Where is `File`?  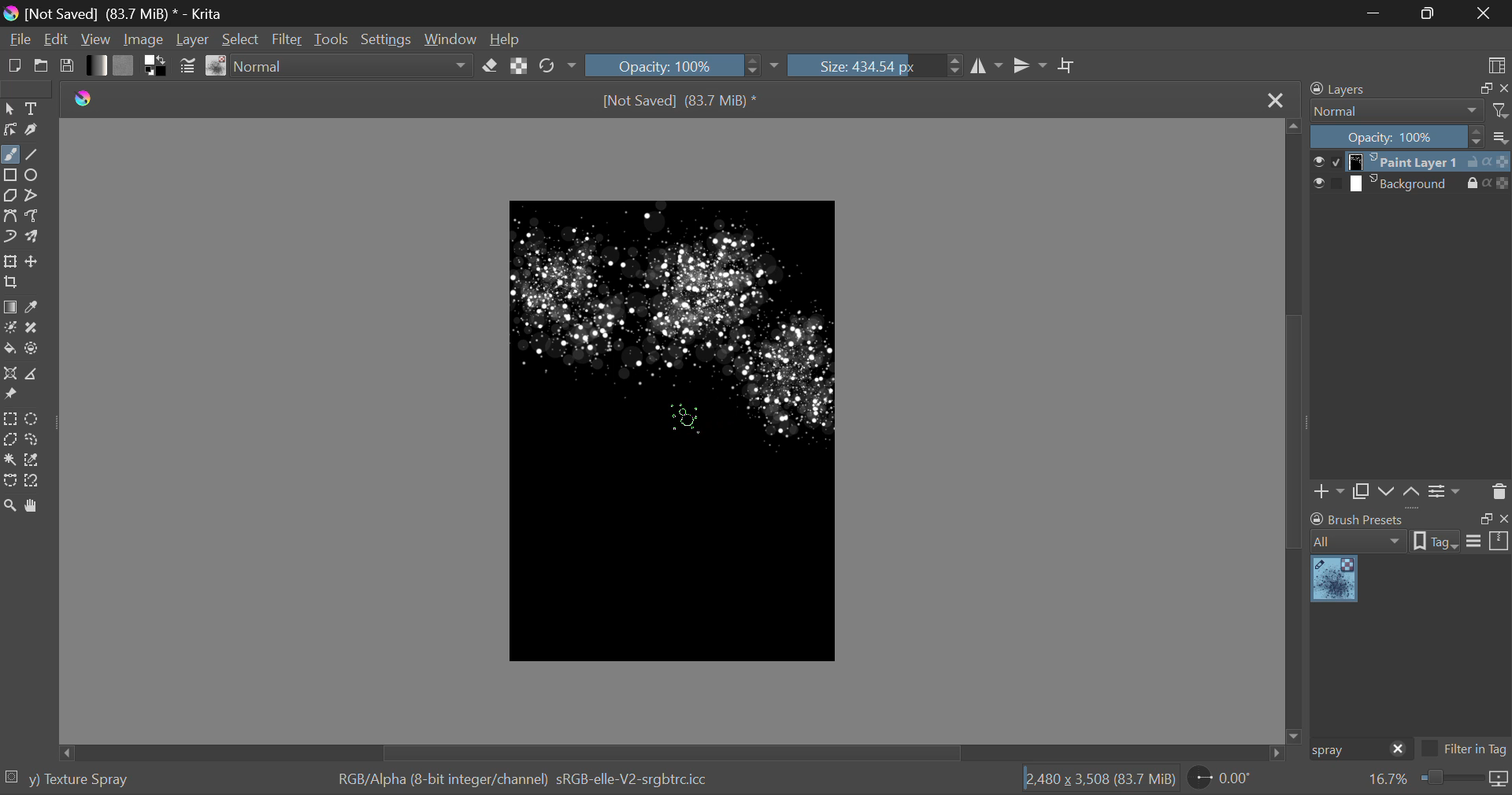 File is located at coordinates (19, 38).